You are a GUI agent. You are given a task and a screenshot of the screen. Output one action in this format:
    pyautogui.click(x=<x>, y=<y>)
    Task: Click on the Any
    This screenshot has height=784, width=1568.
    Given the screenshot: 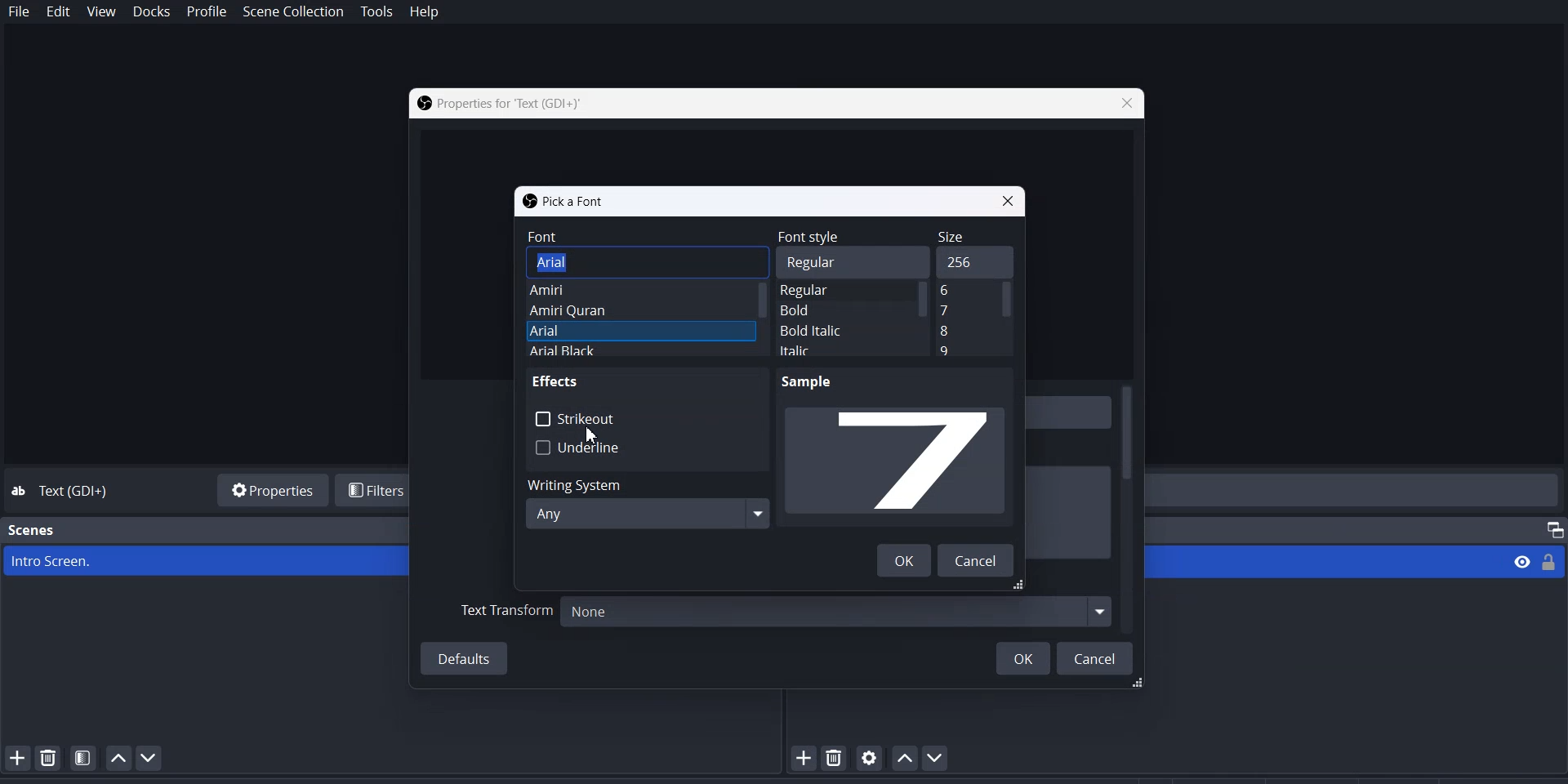 What is the action you would take?
    pyautogui.click(x=647, y=514)
    